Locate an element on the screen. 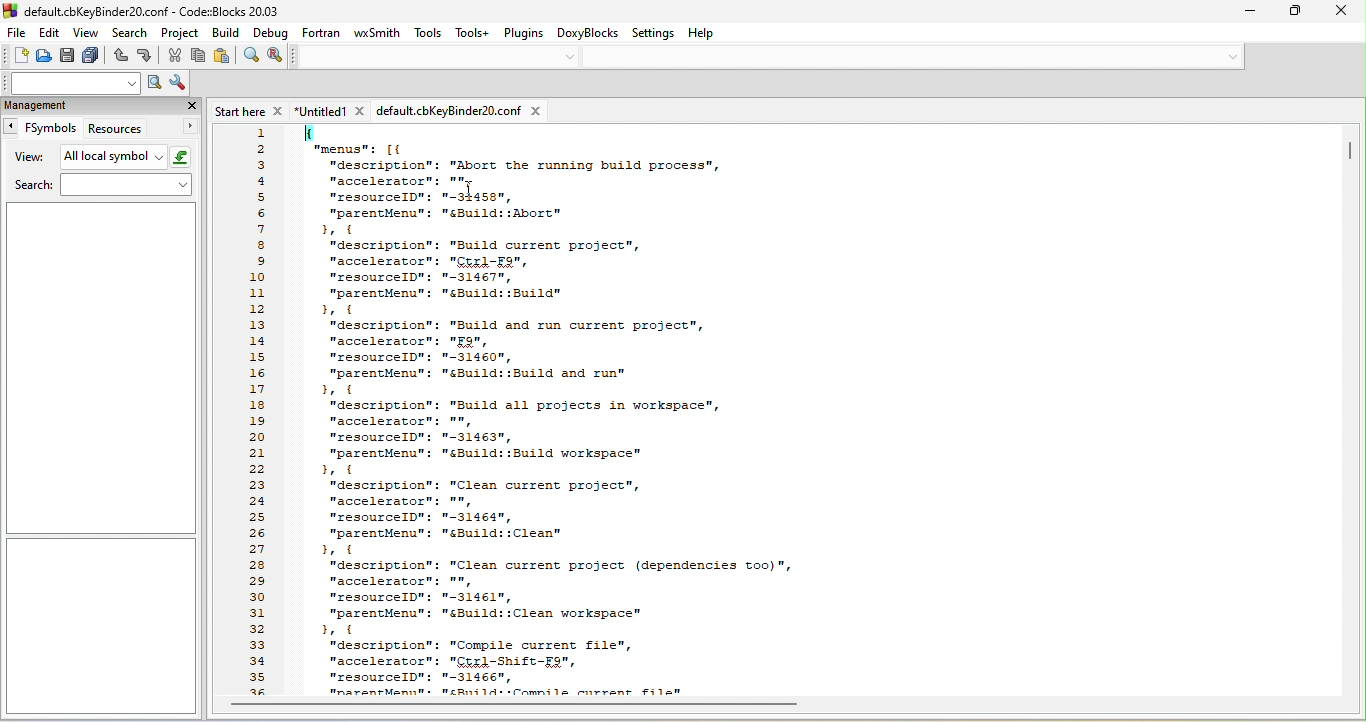 The height and width of the screenshot is (722, 1366). view is located at coordinates (85, 31).